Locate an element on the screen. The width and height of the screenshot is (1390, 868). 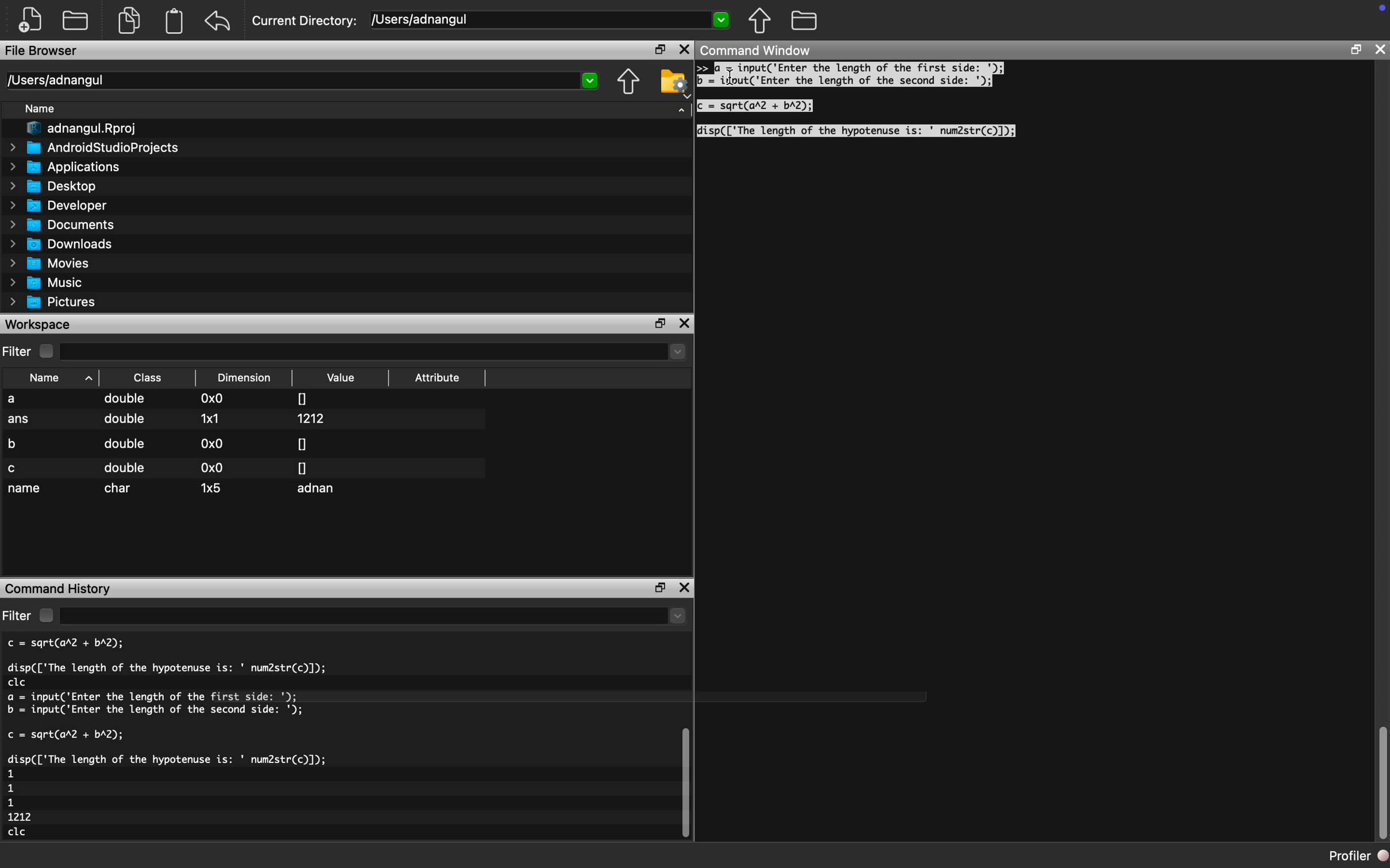
move up is located at coordinates (759, 20).